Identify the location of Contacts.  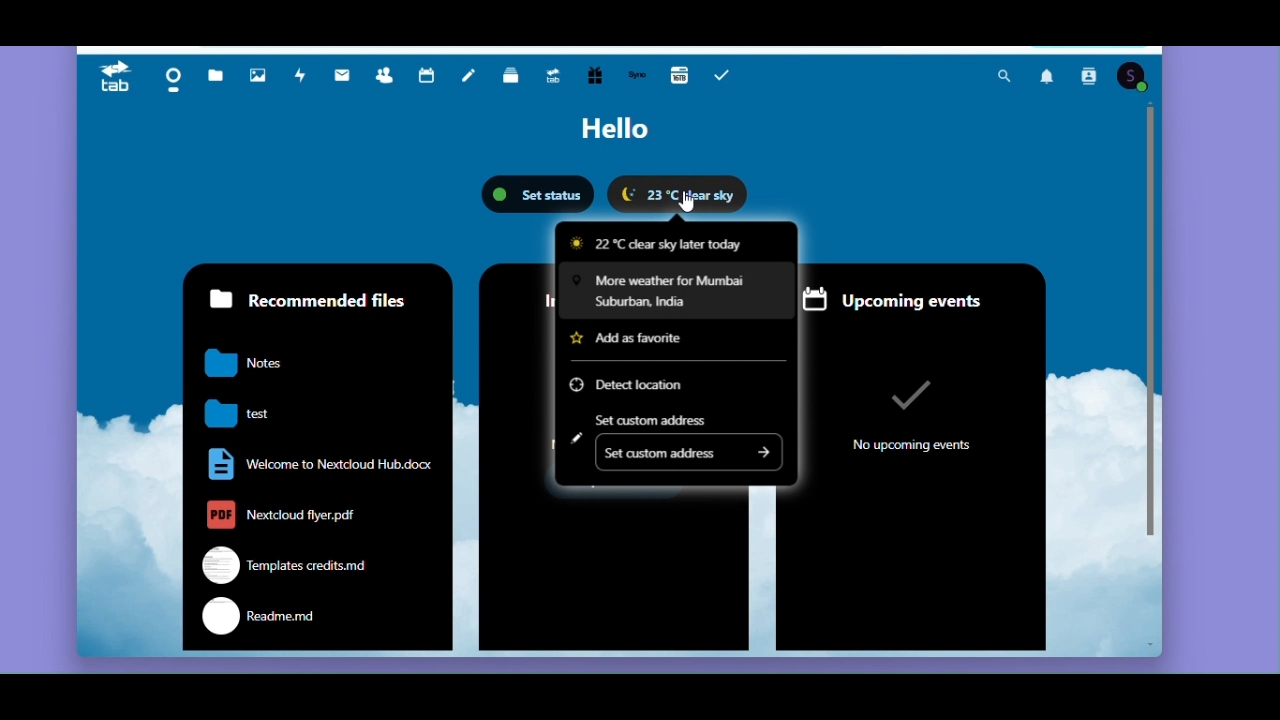
(388, 78).